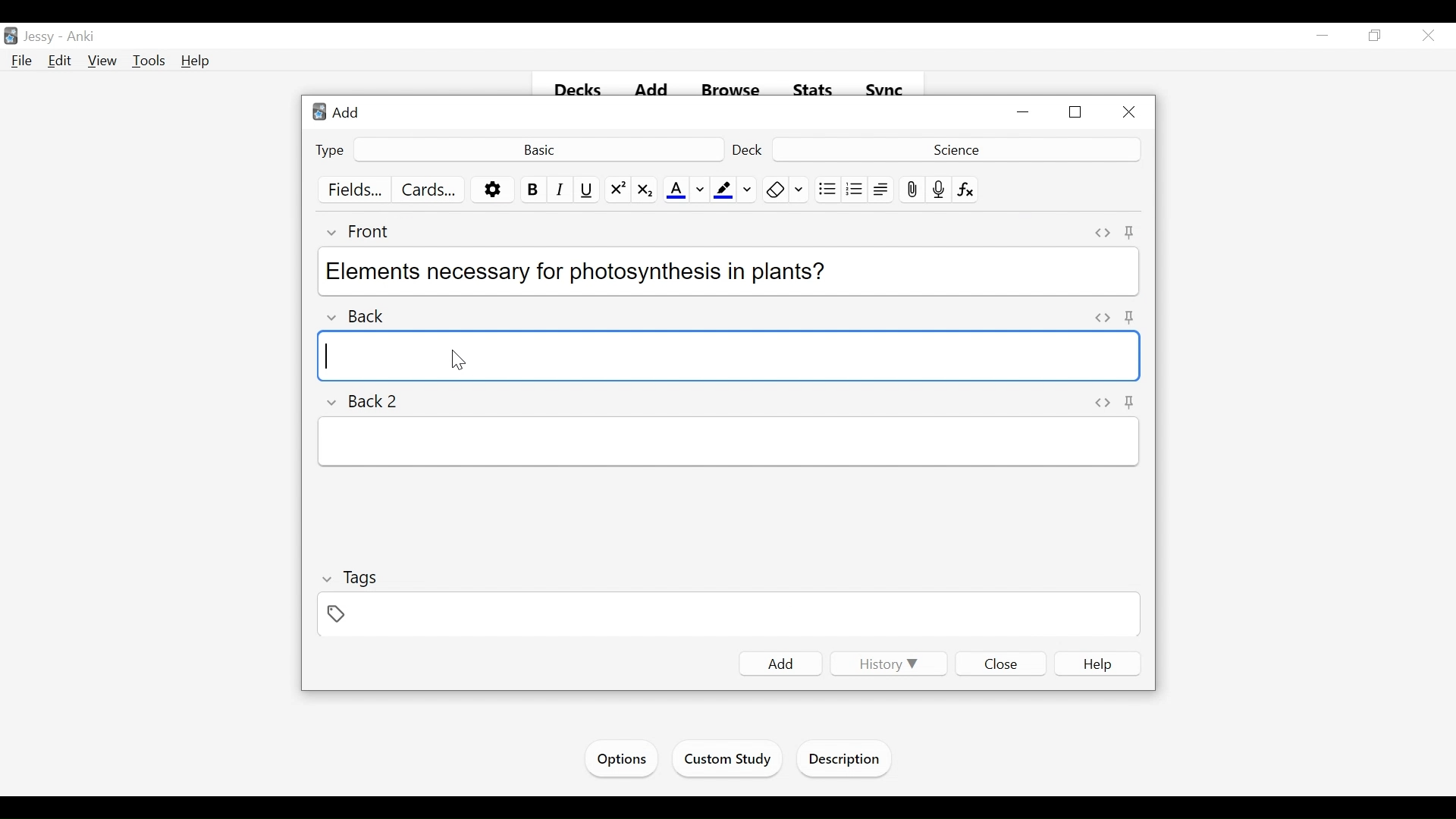 The image size is (1456, 819). What do you see at coordinates (444, 362) in the screenshot?
I see `cursor` at bounding box center [444, 362].